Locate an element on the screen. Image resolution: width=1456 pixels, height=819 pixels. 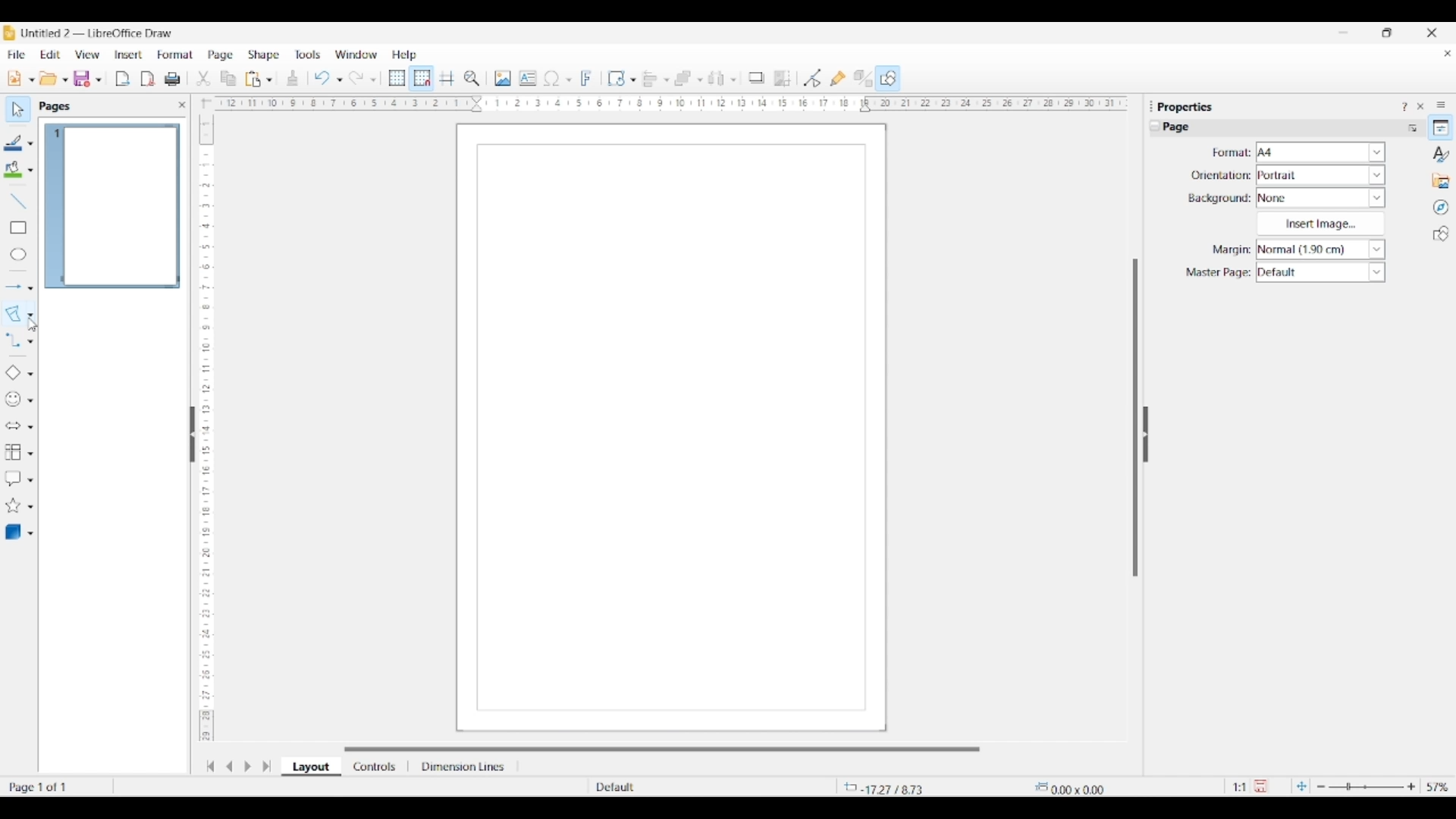
Export directly as PDF is located at coordinates (148, 80).